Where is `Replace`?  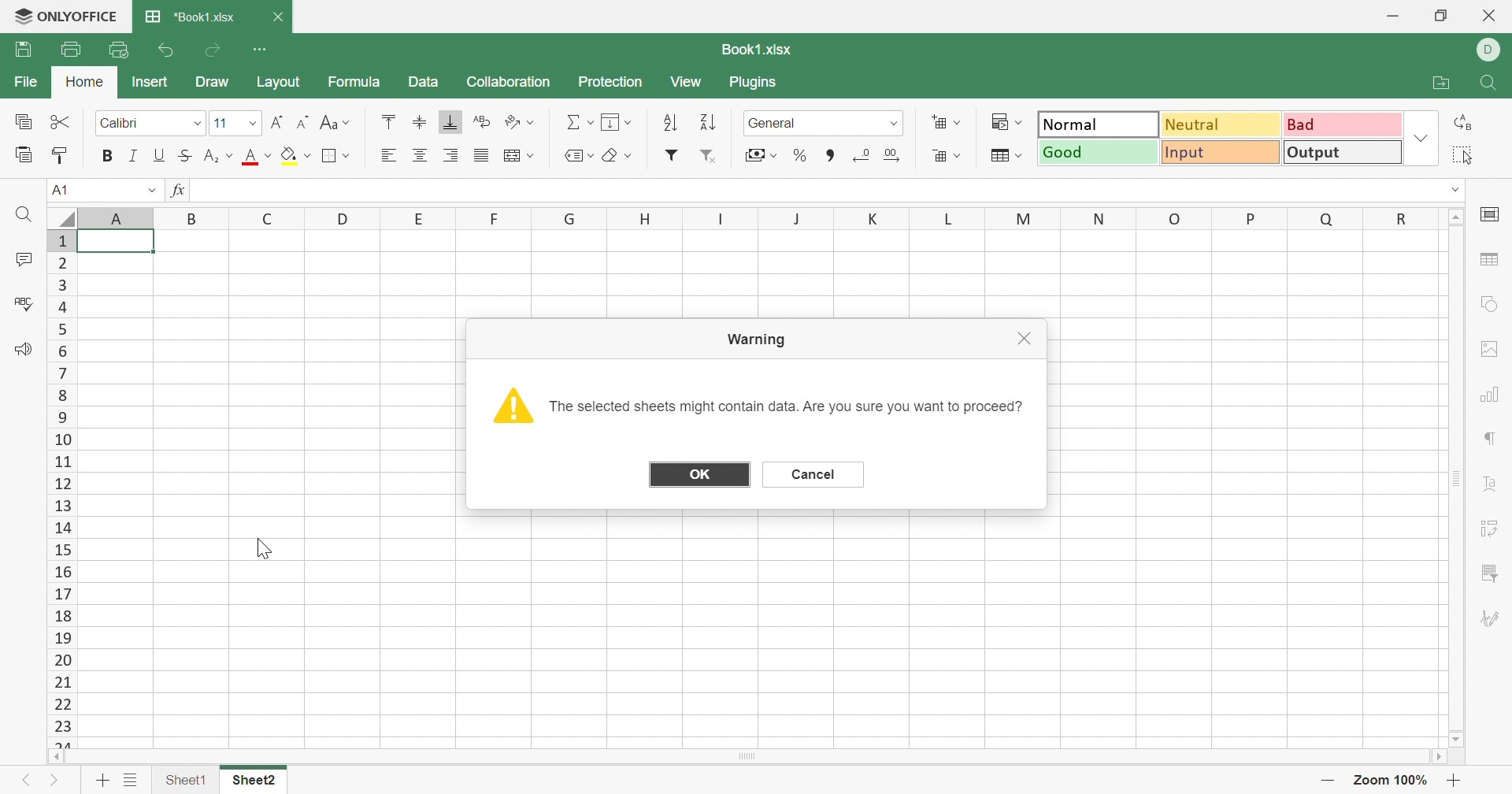
Replace is located at coordinates (1467, 124).